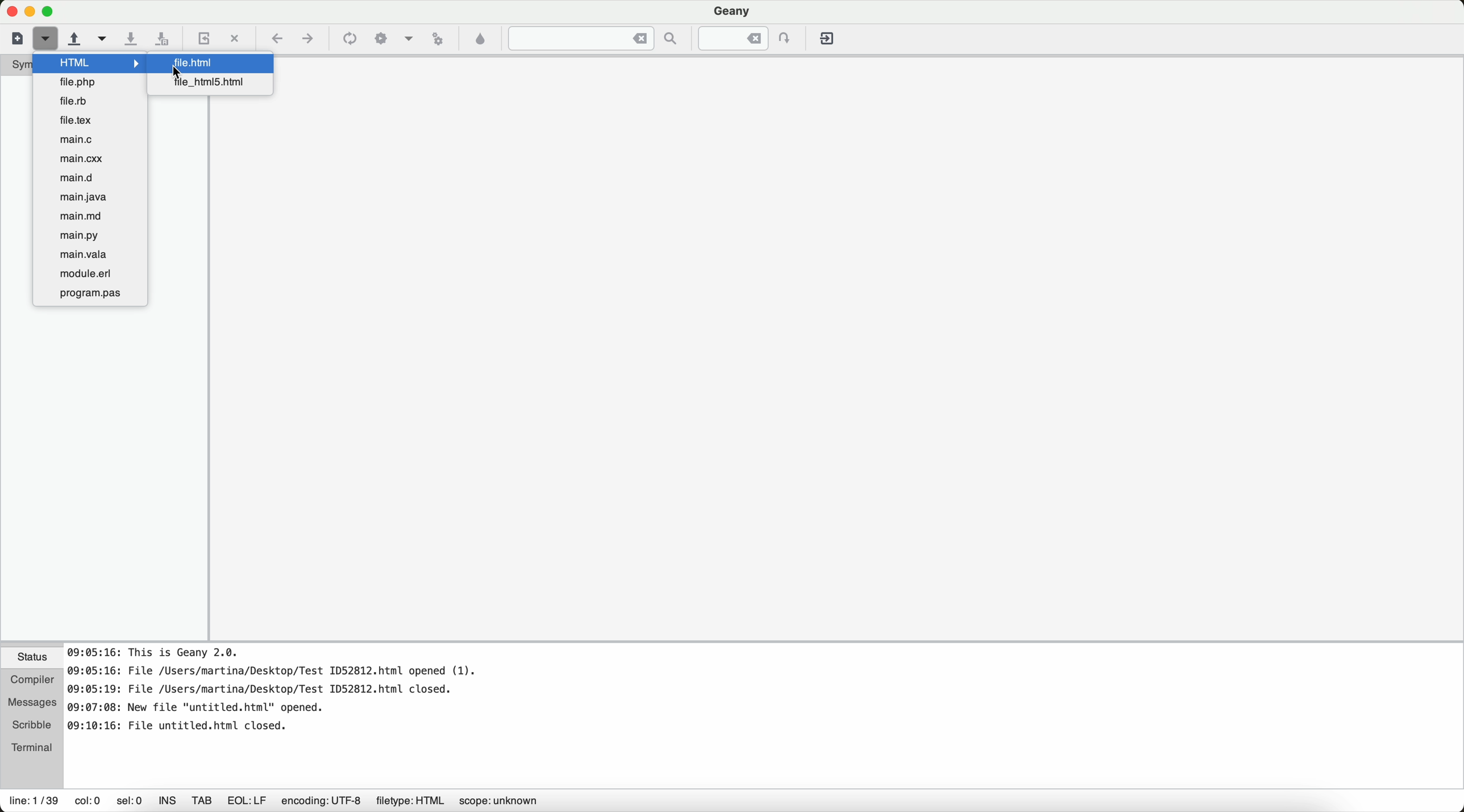 The height and width of the screenshot is (812, 1464). I want to click on screen buttons, so click(32, 10).